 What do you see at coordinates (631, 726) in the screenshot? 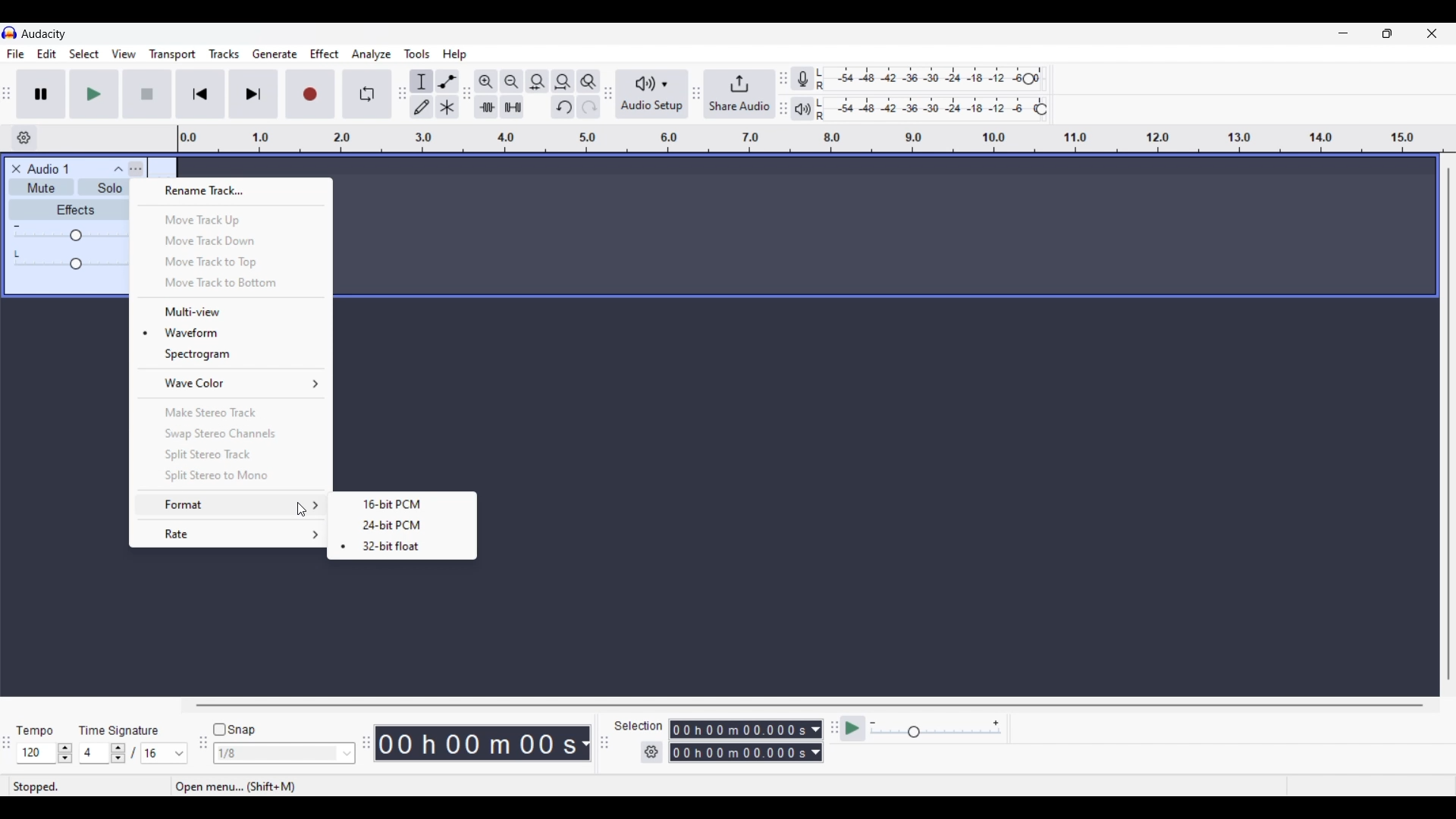
I see `Selection` at bounding box center [631, 726].